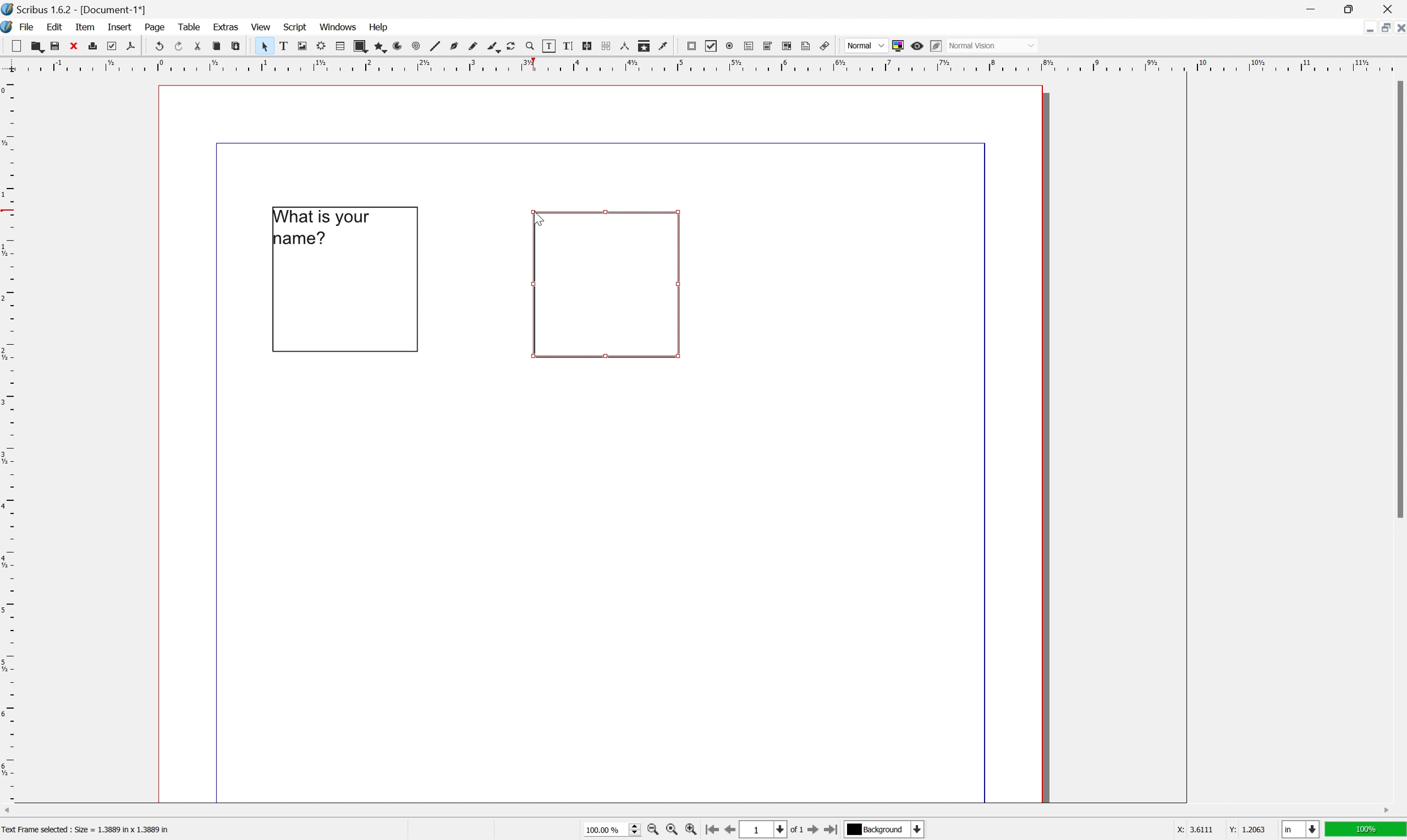 The width and height of the screenshot is (1407, 840). I want to click on zoom in zoom out, so click(529, 46).